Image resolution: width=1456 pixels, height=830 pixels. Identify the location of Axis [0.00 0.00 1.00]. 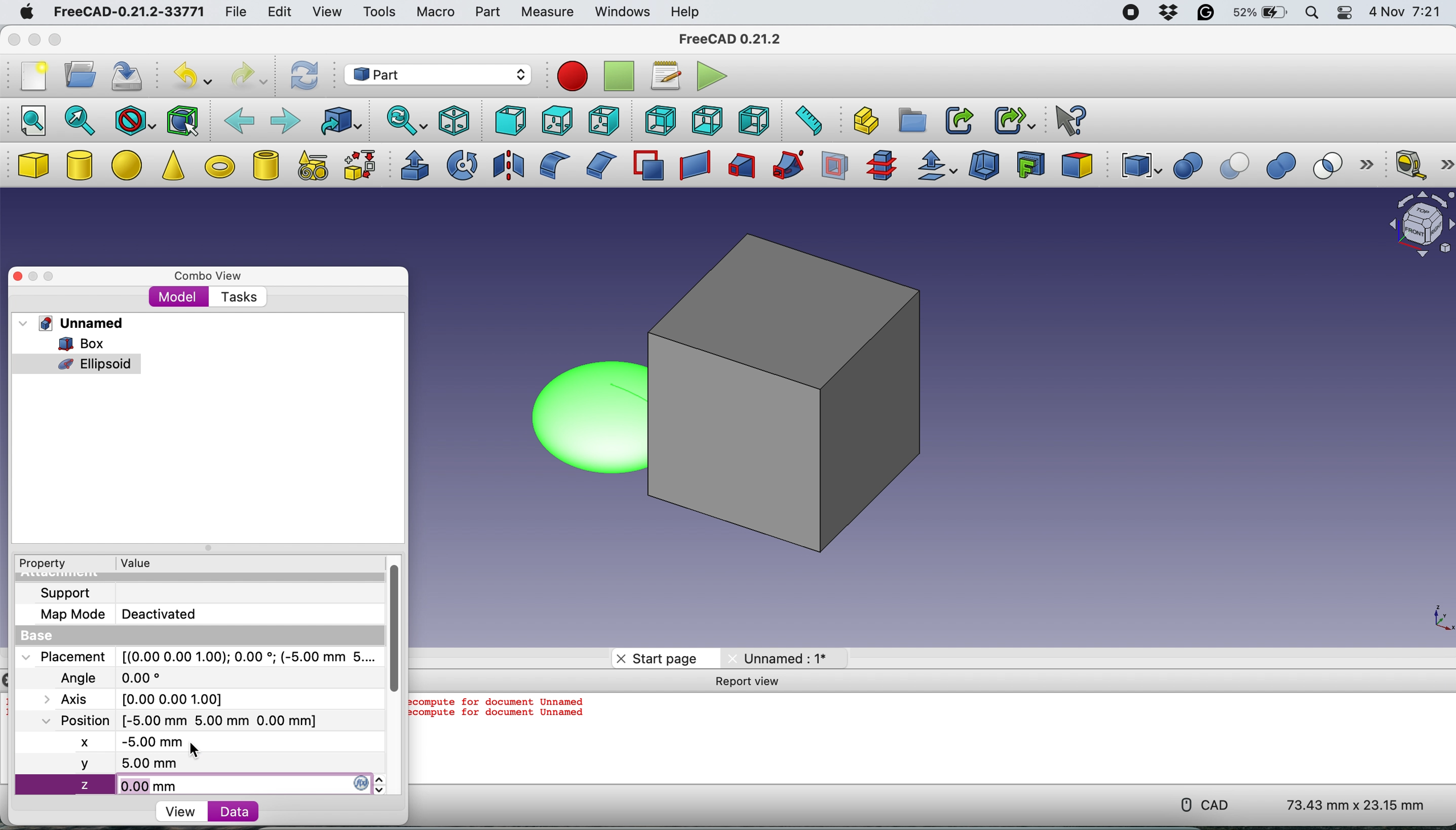
(140, 698).